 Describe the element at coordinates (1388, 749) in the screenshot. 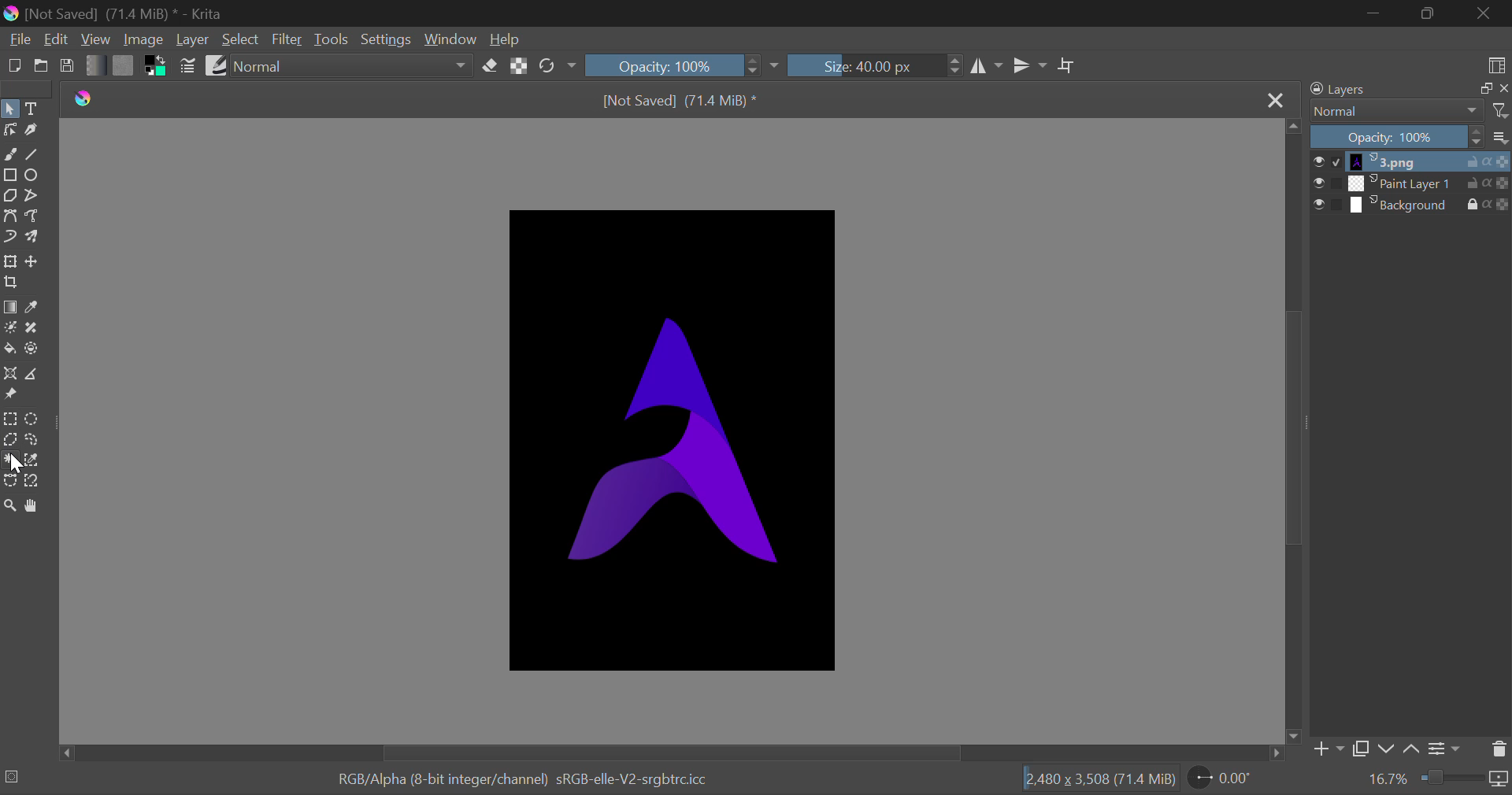

I see `down Movement of Layer` at that location.